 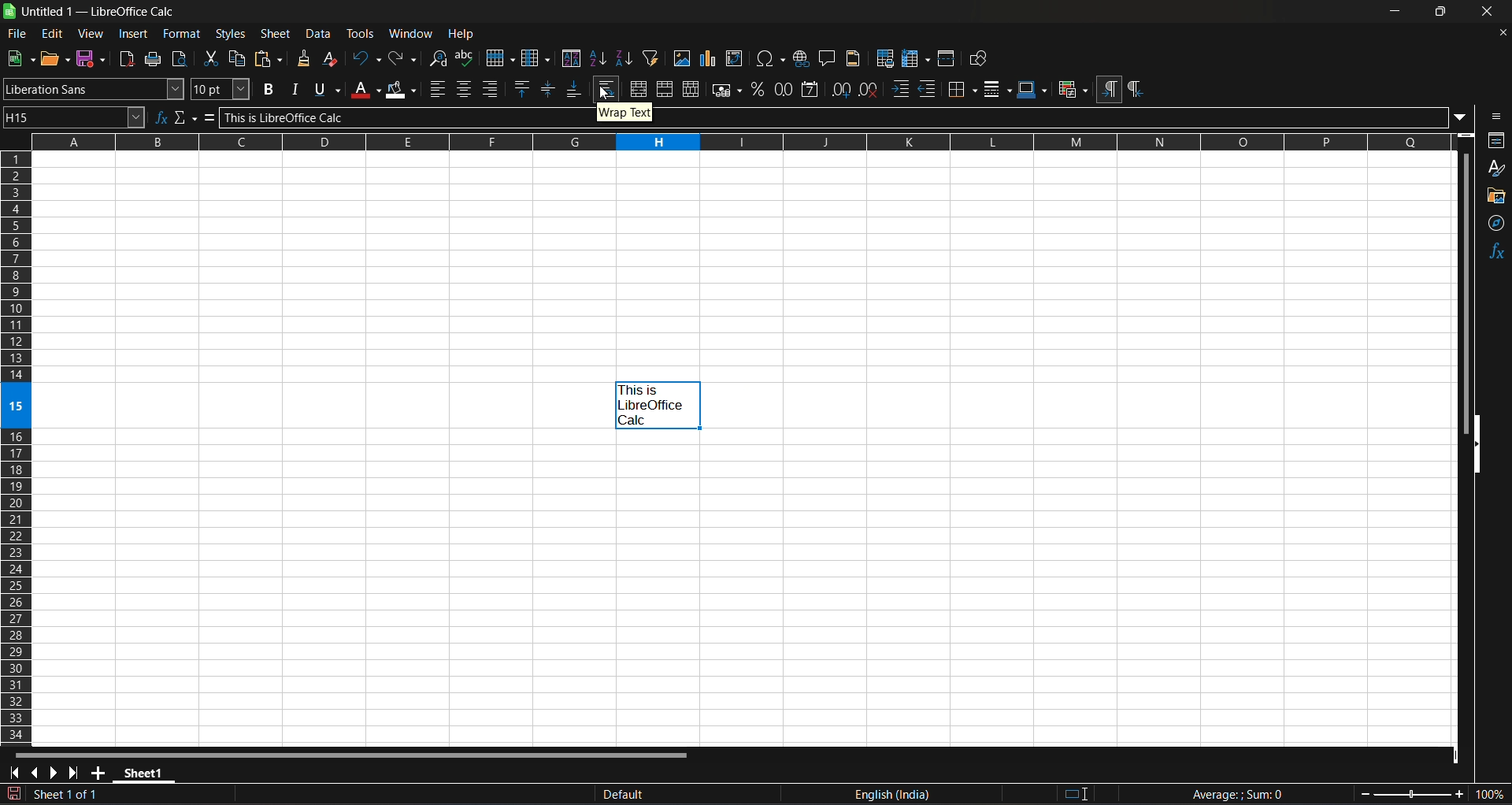 I want to click on help, so click(x=461, y=35).